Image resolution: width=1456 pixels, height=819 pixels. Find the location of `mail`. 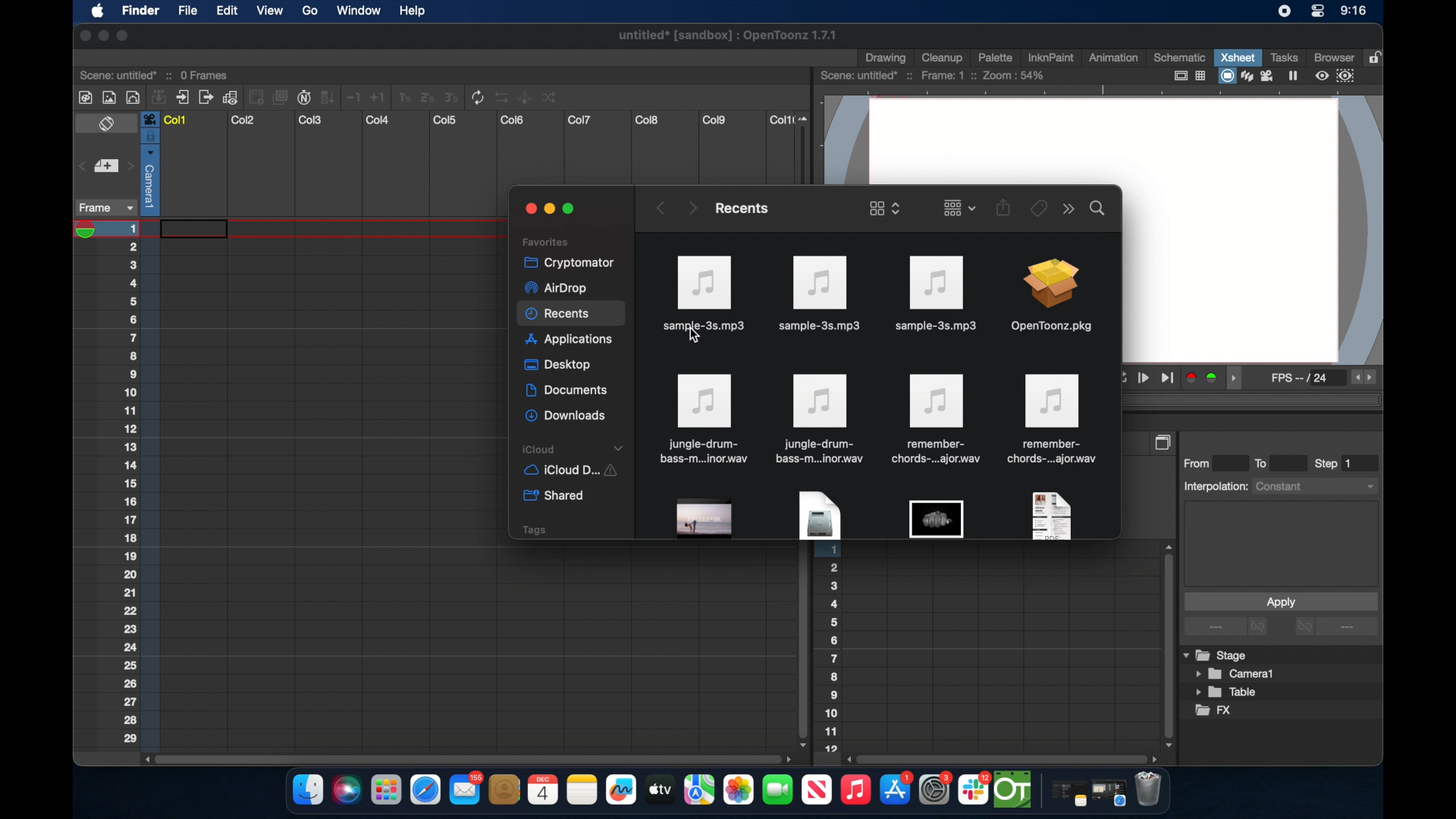

mail is located at coordinates (466, 788).